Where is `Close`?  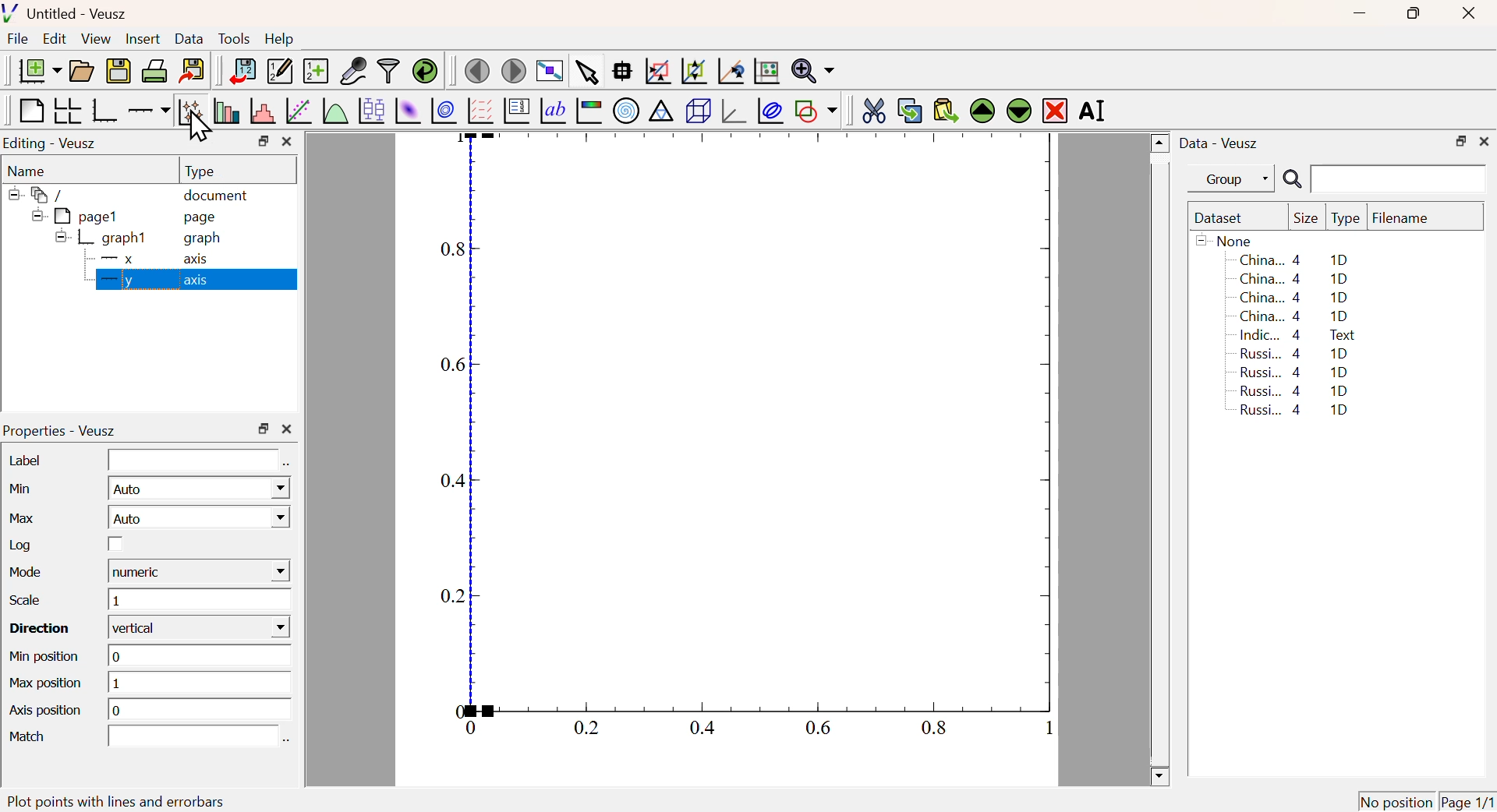
Close is located at coordinates (1466, 15).